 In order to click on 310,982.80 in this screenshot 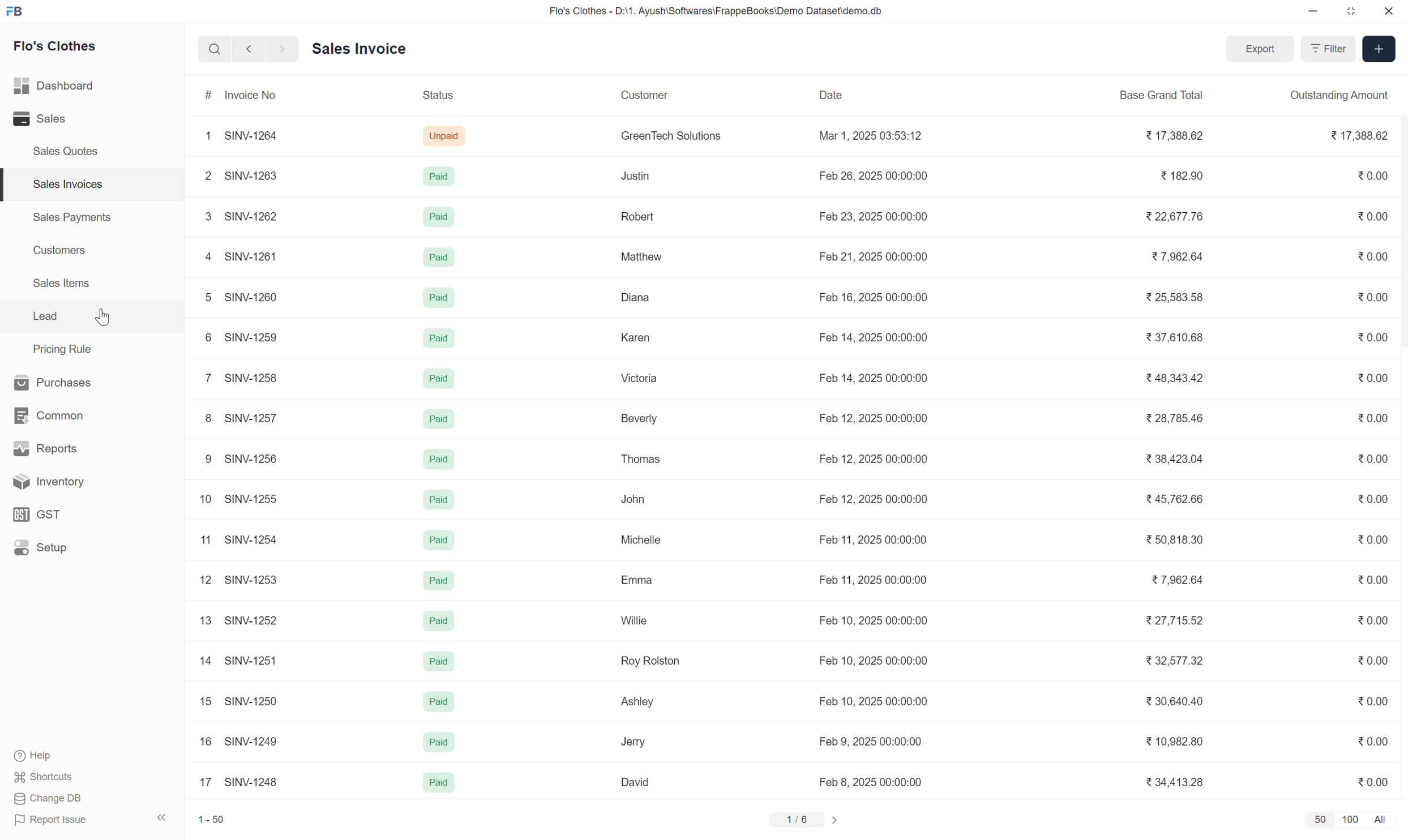, I will do `click(1175, 741)`.